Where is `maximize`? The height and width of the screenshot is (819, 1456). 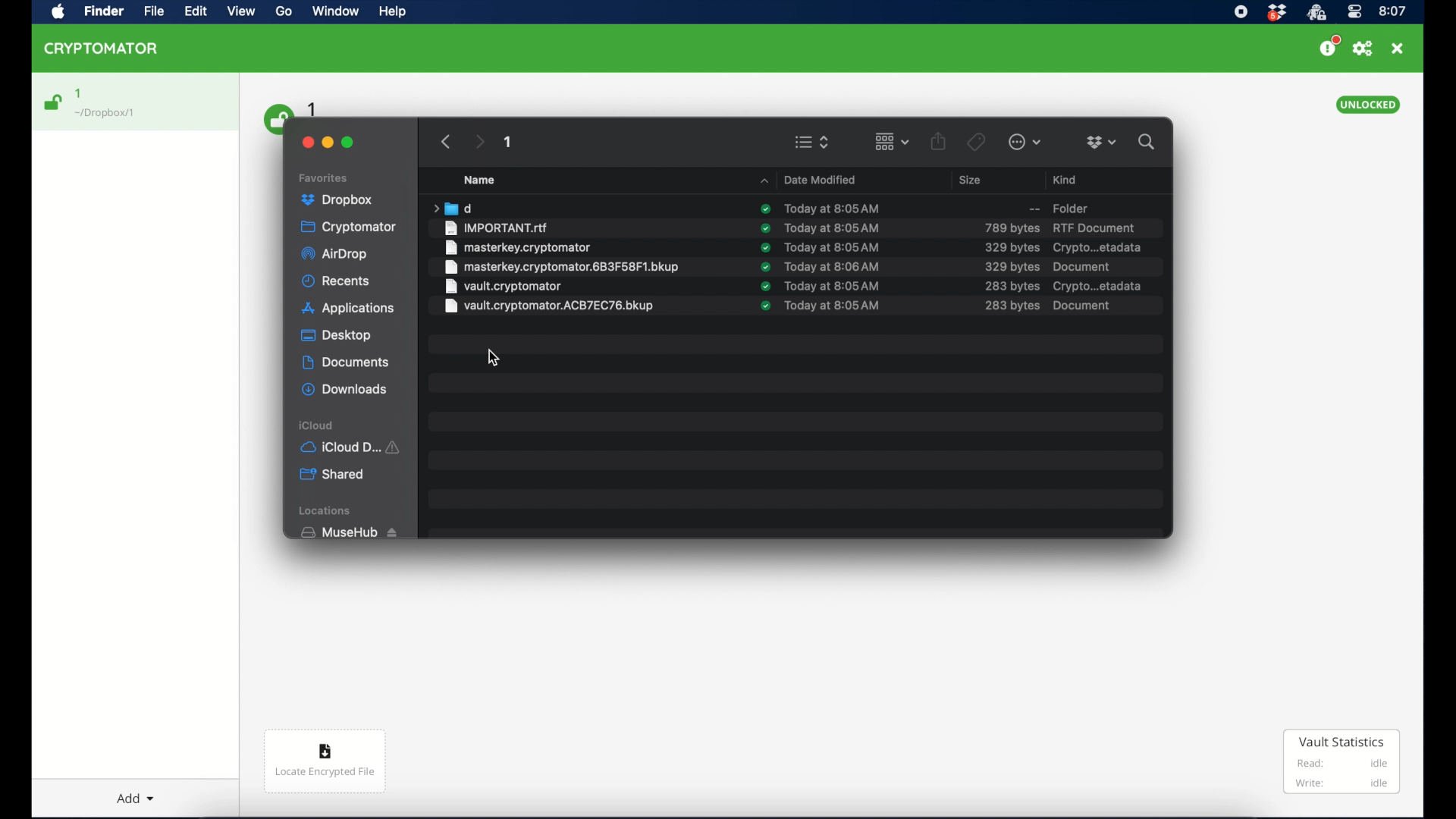
maximize is located at coordinates (349, 143).